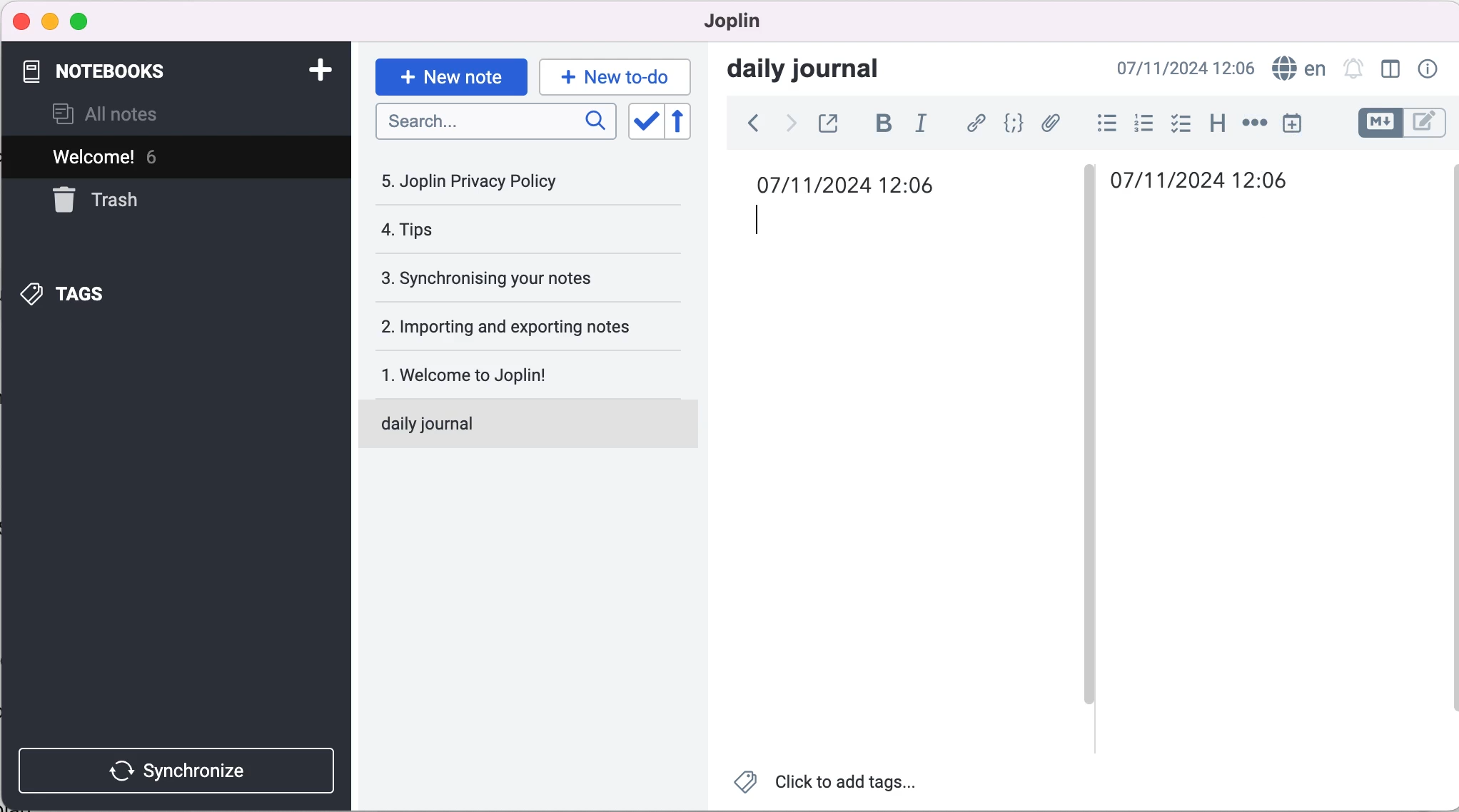  Describe the element at coordinates (1429, 71) in the screenshot. I see `note properties` at that location.